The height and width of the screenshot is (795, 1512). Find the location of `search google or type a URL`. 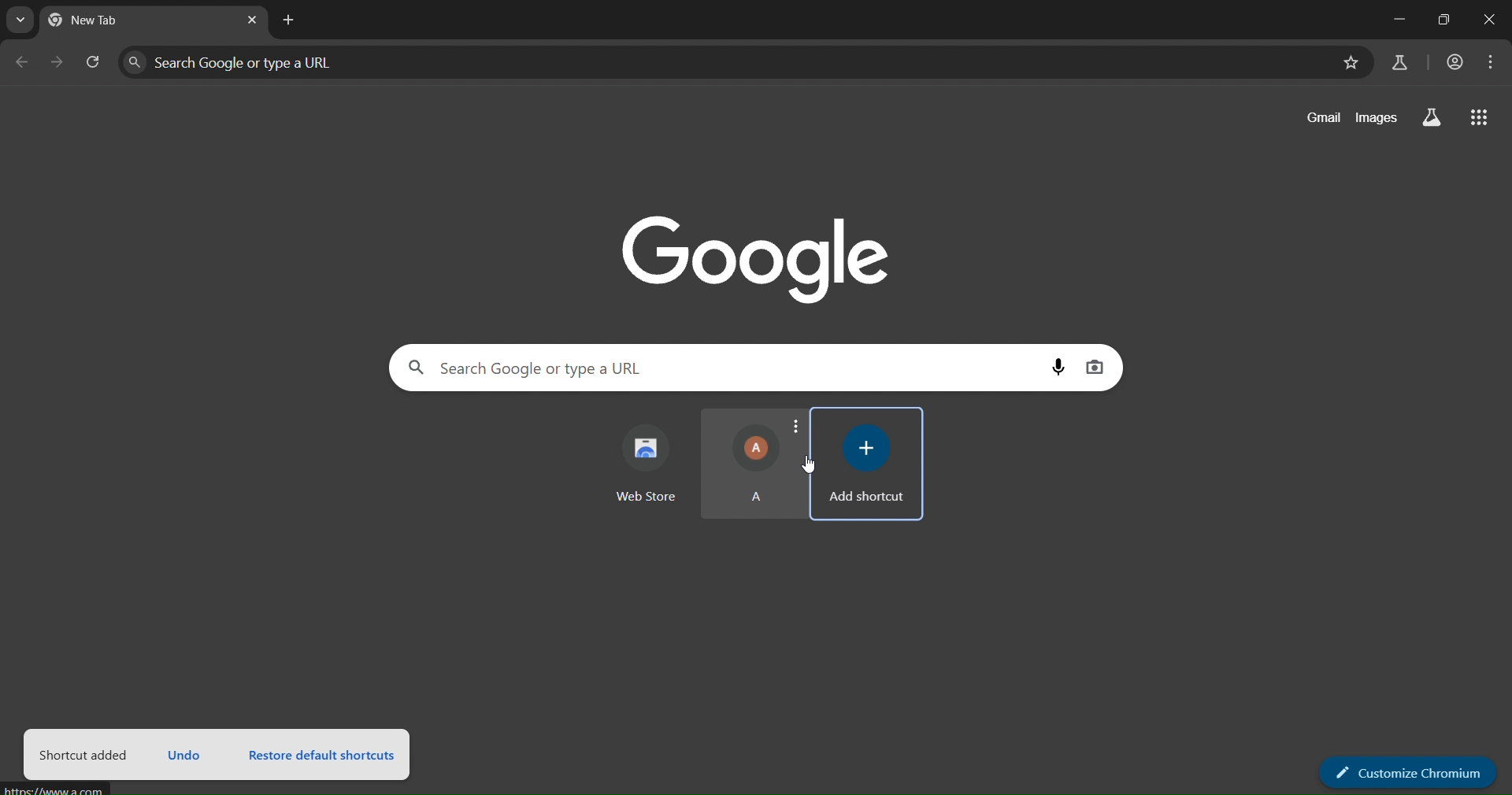

search google or type a URL is located at coordinates (720, 368).